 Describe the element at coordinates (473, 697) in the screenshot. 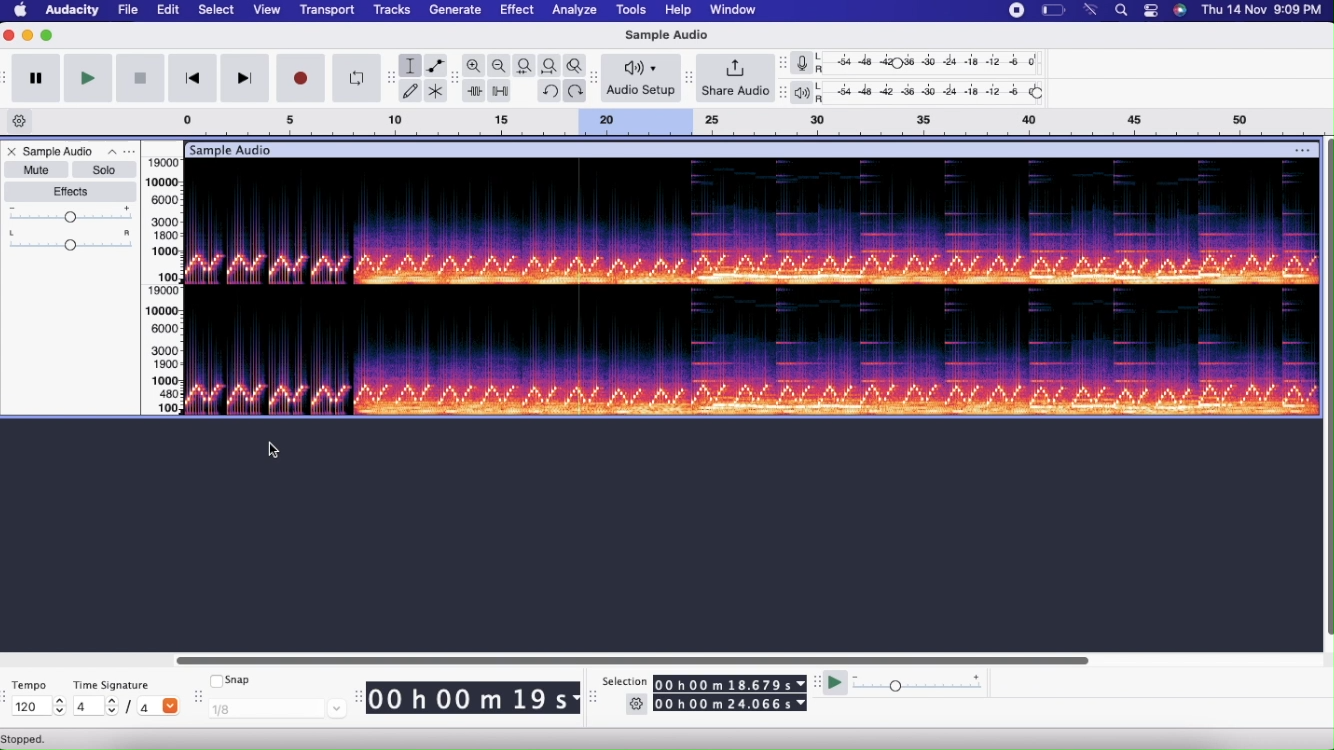

I see `00 h 00 m 19 s` at that location.